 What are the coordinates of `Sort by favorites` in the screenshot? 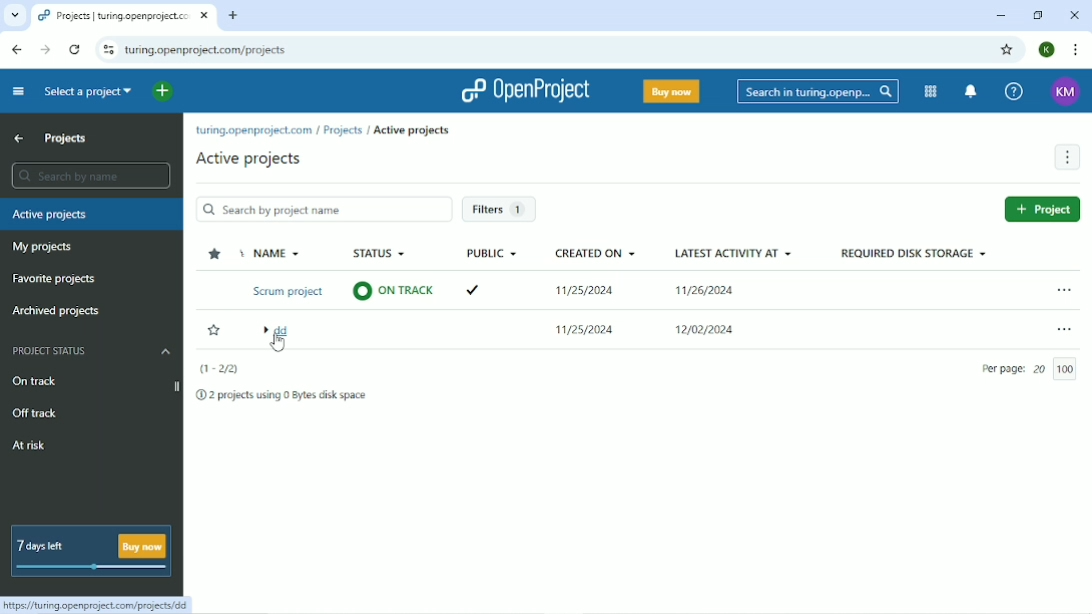 It's located at (218, 256).